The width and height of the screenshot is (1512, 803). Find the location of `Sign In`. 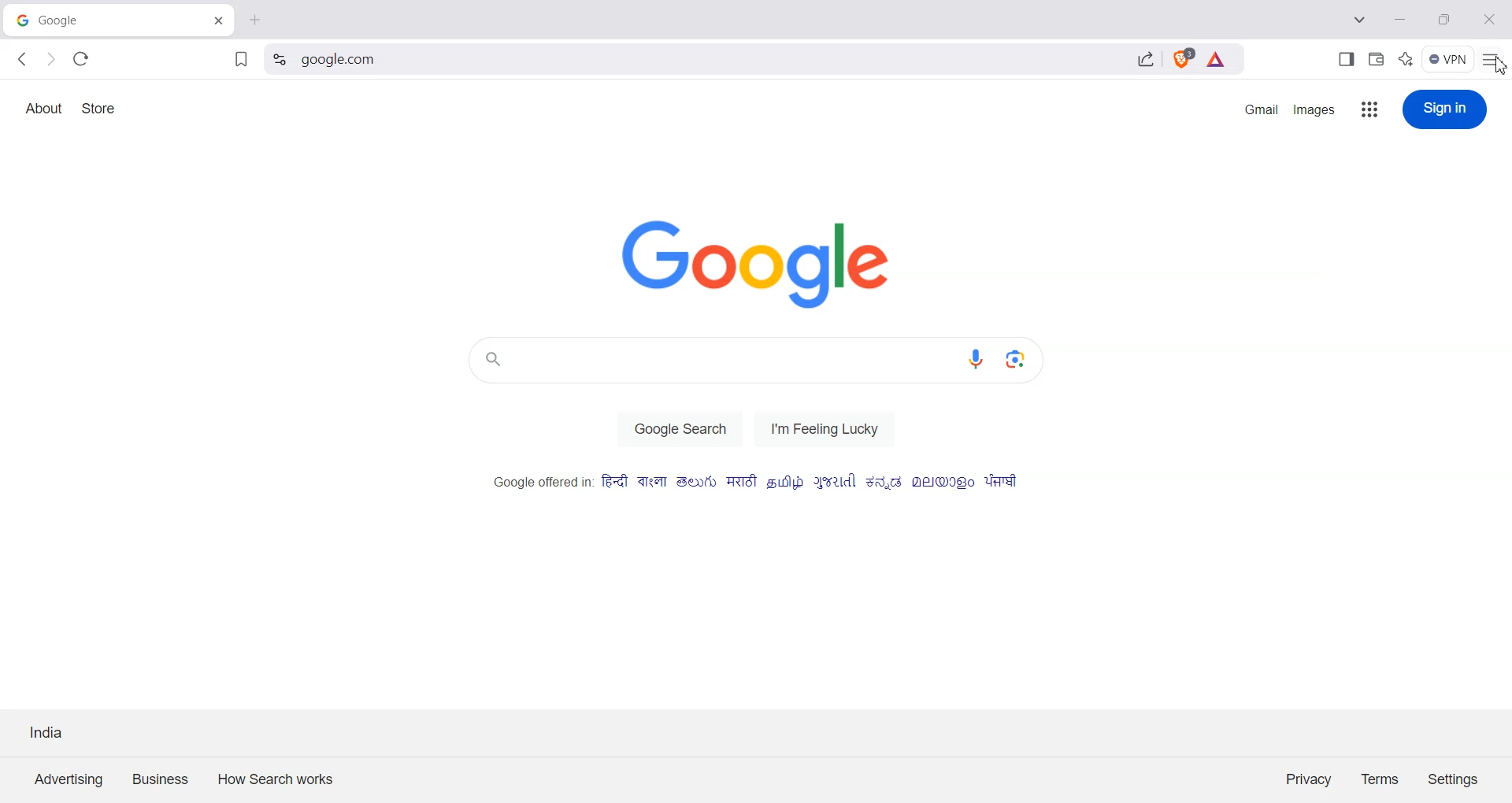

Sign In is located at coordinates (1445, 109).